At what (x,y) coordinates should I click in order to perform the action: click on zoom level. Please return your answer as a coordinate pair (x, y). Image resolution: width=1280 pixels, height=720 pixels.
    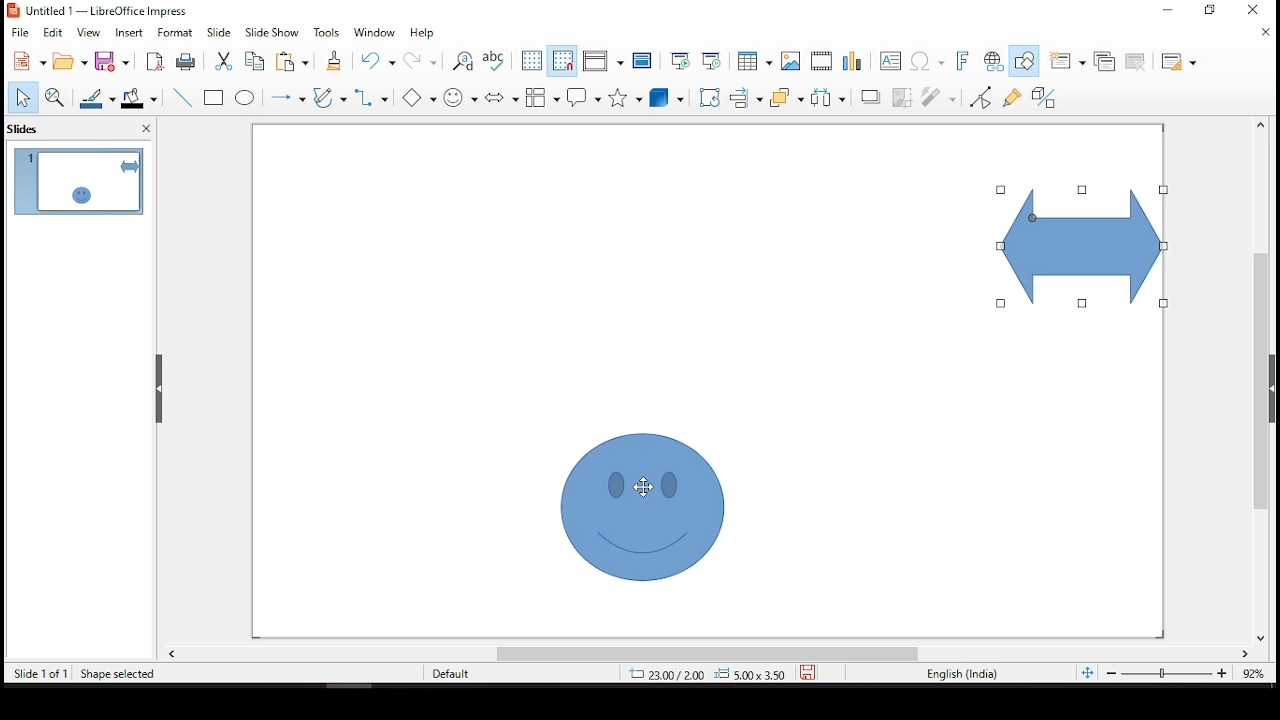
    Looking at the image, I should click on (1252, 674).